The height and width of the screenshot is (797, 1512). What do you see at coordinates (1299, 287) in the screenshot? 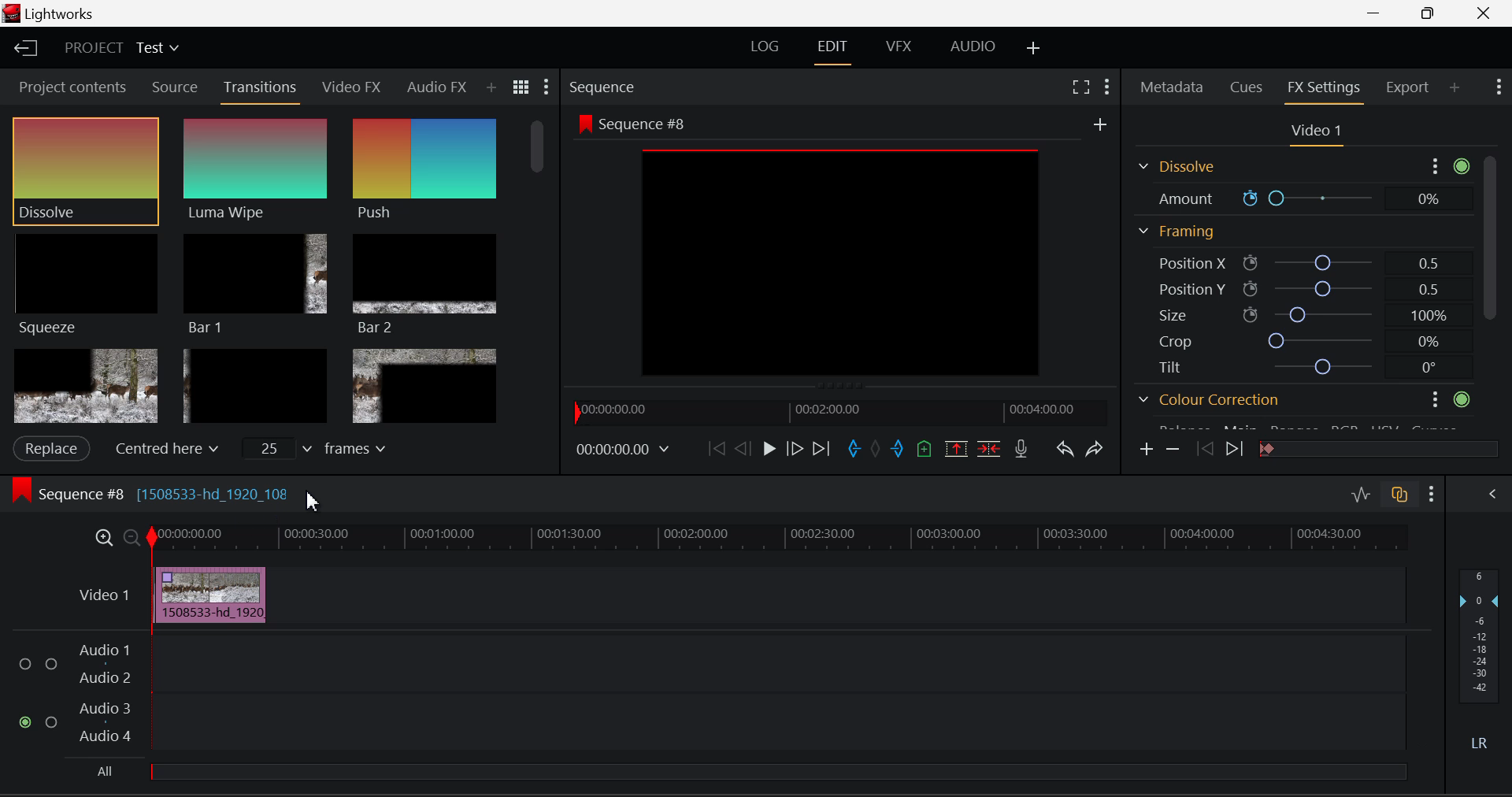
I see `Position Y` at bounding box center [1299, 287].